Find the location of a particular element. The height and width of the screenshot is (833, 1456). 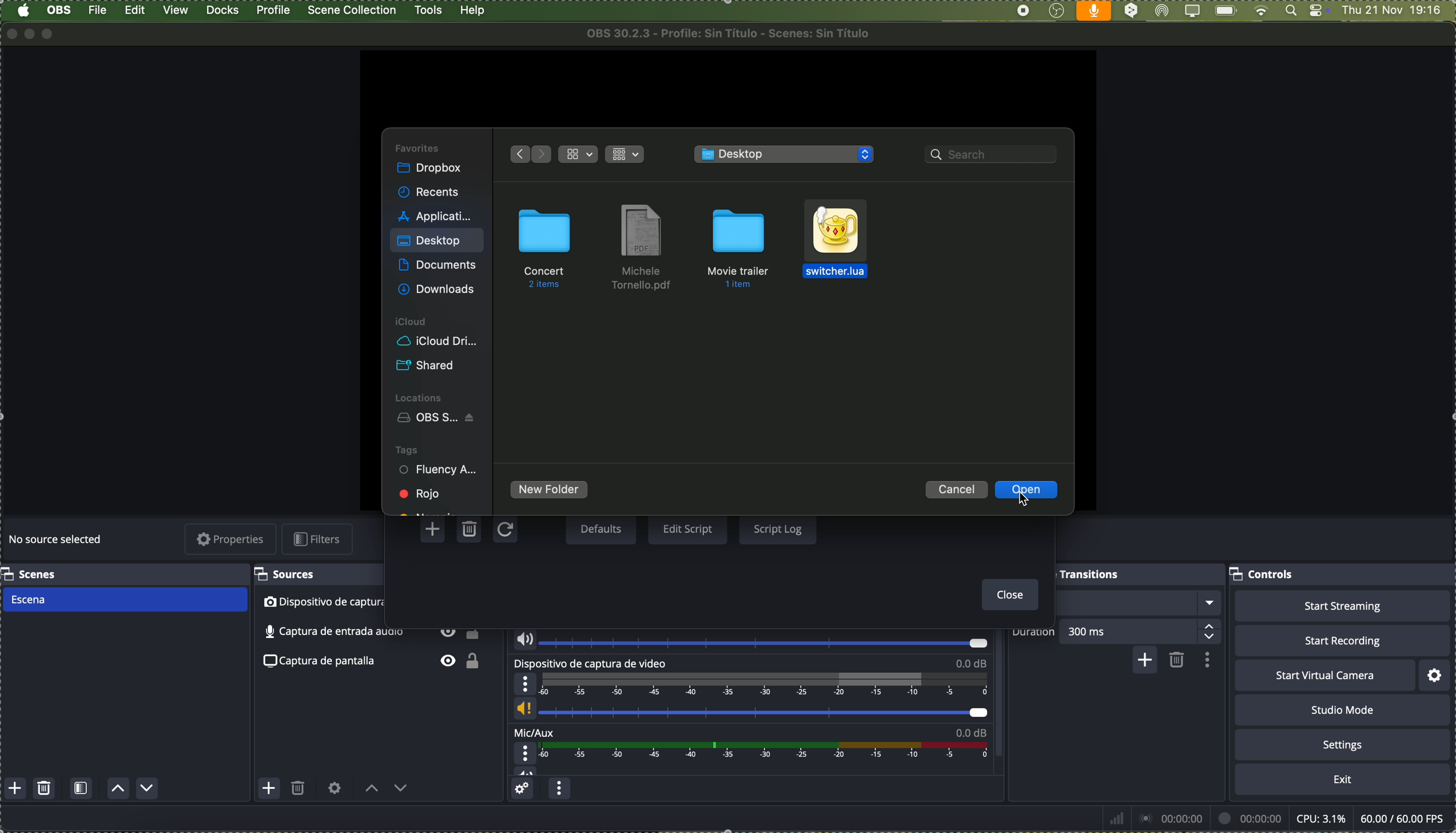

300 ms is located at coordinates (1144, 630).